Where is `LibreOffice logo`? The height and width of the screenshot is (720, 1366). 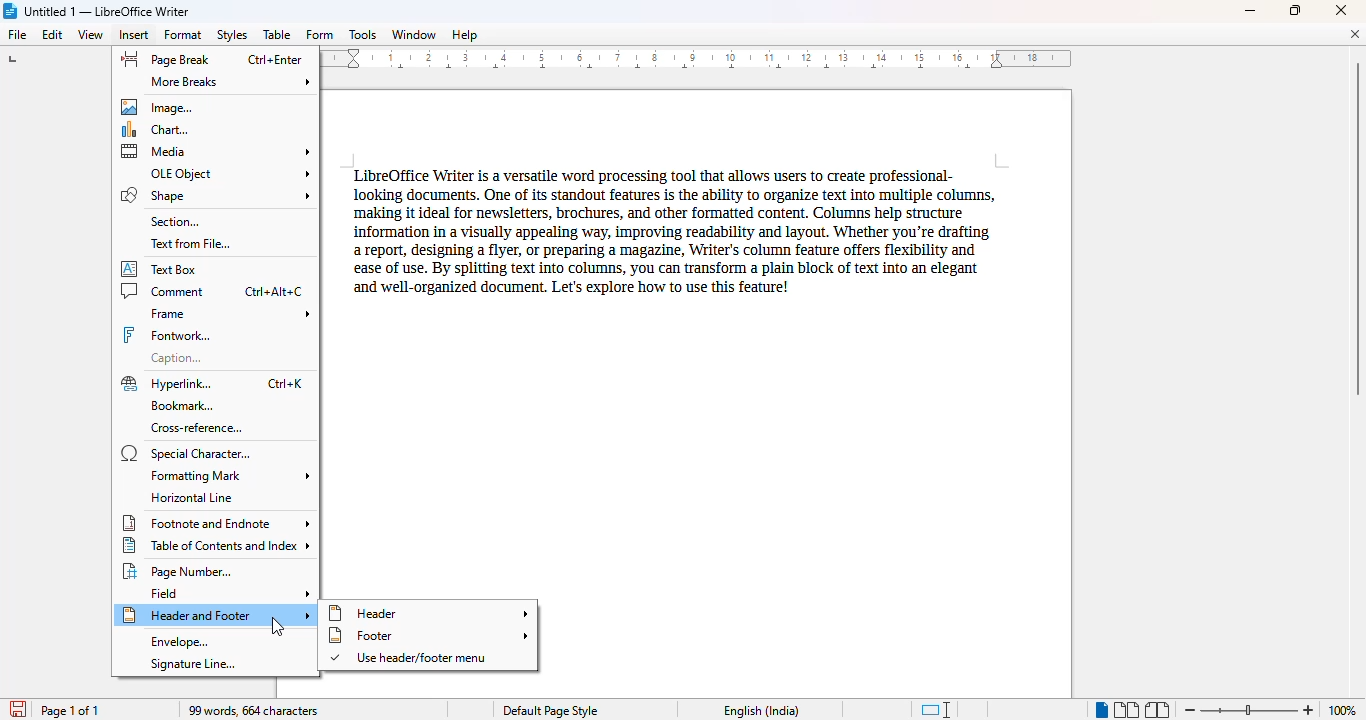
LibreOffice logo is located at coordinates (11, 10).